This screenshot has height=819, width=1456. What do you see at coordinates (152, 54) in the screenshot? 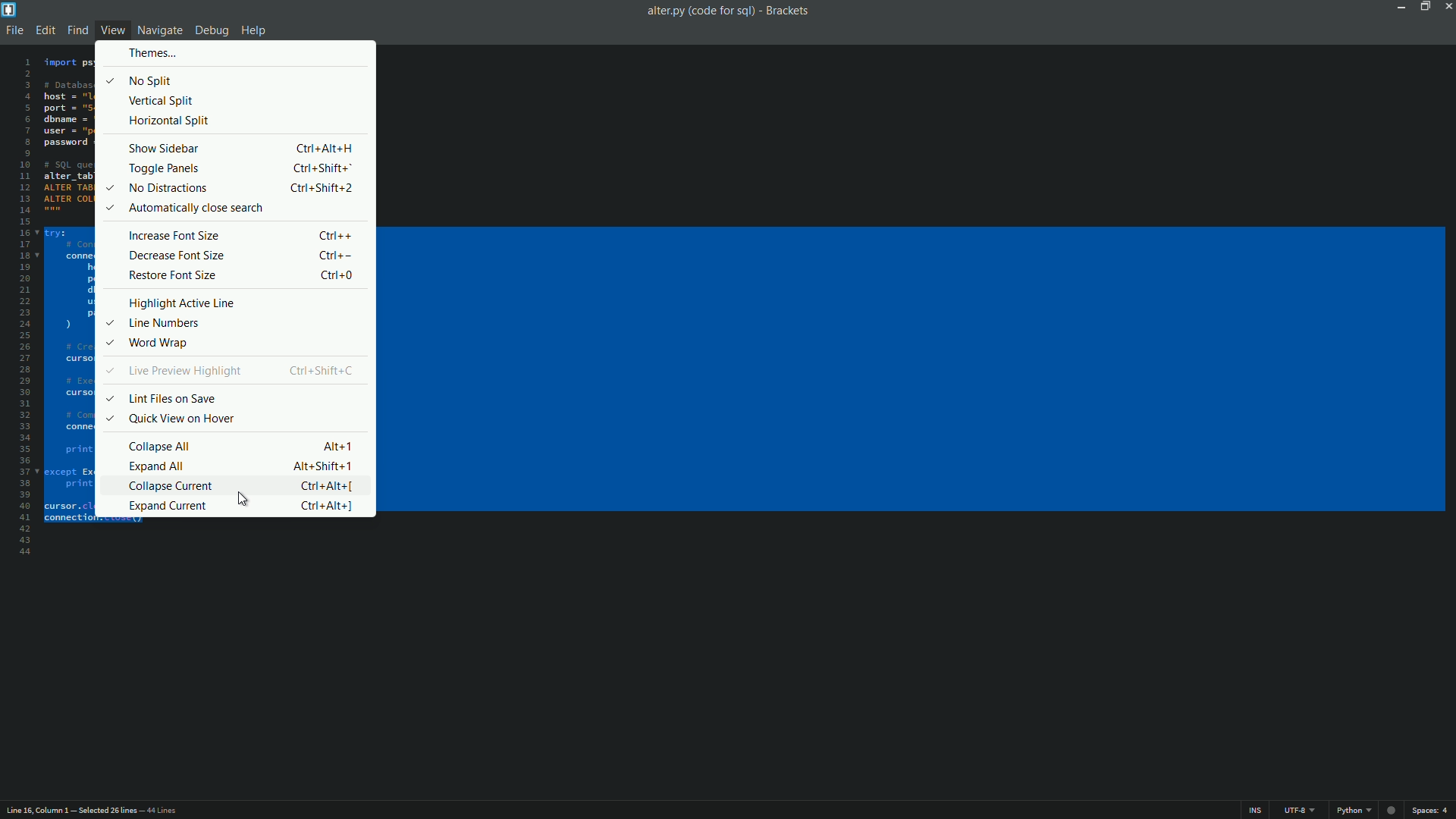
I see `theme` at bounding box center [152, 54].